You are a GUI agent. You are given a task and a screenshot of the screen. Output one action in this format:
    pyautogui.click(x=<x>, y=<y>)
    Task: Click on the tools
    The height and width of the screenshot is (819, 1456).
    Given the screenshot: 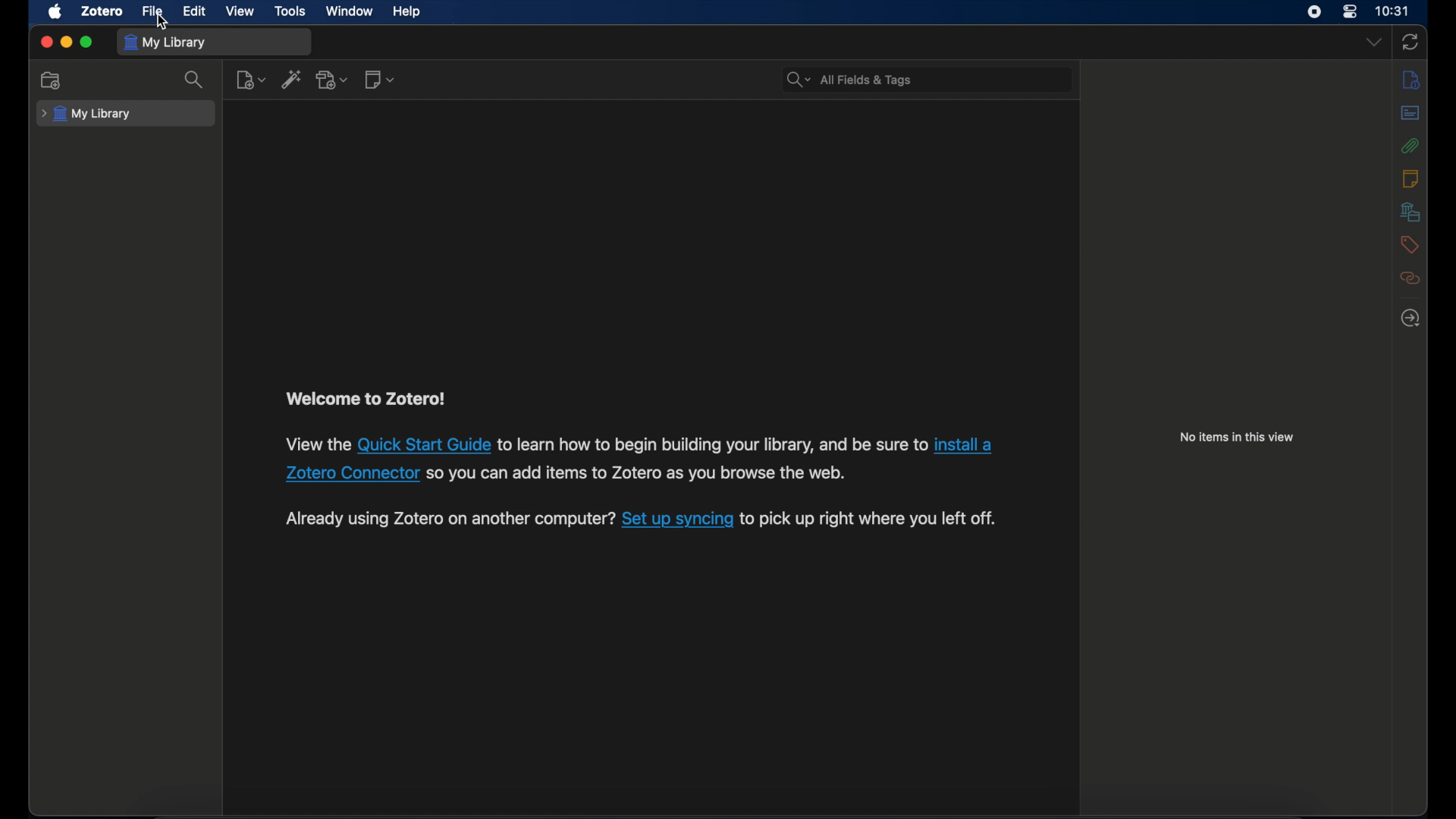 What is the action you would take?
    pyautogui.click(x=290, y=11)
    